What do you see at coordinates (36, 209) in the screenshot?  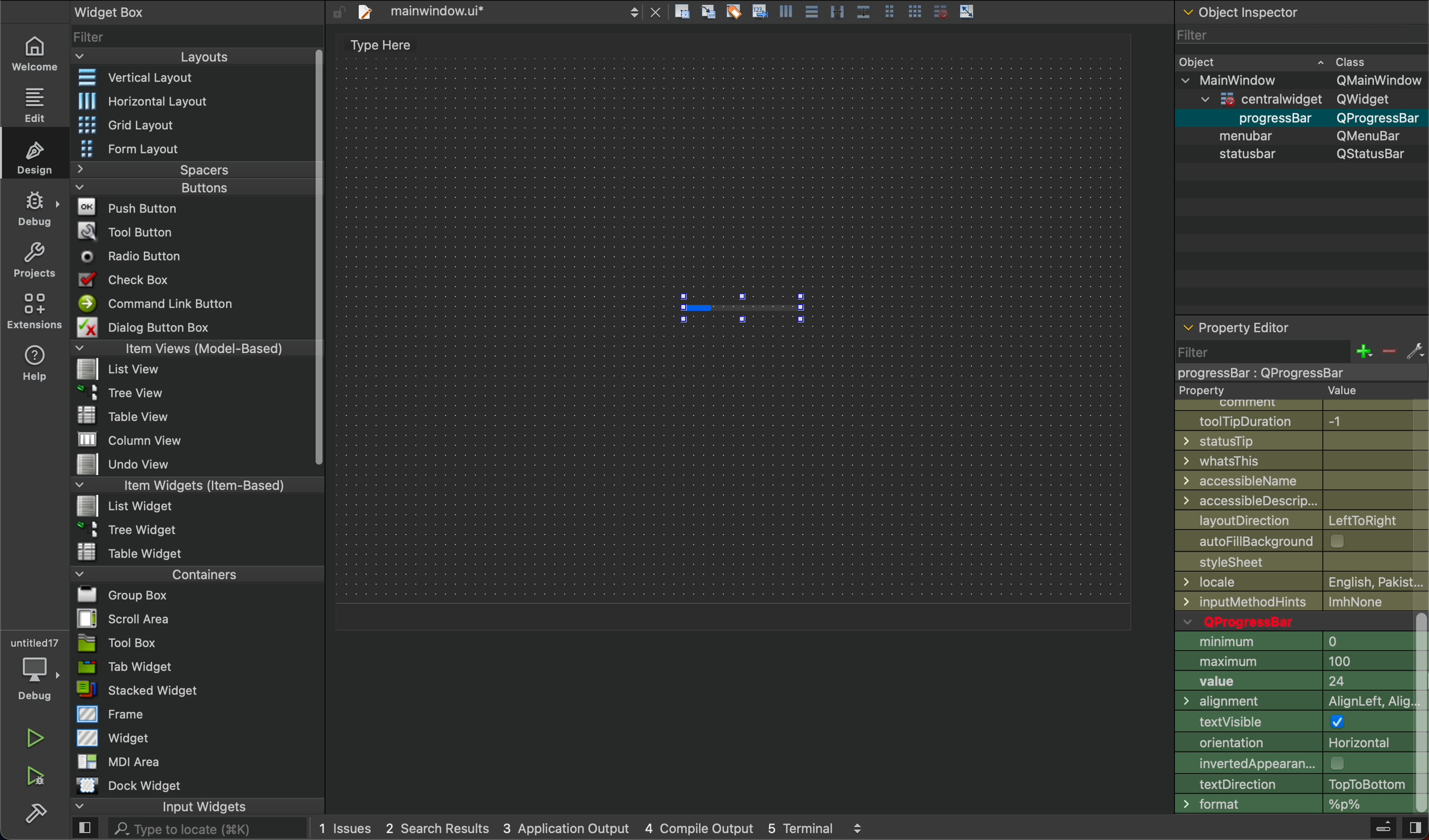 I see `debug` at bounding box center [36, 209].